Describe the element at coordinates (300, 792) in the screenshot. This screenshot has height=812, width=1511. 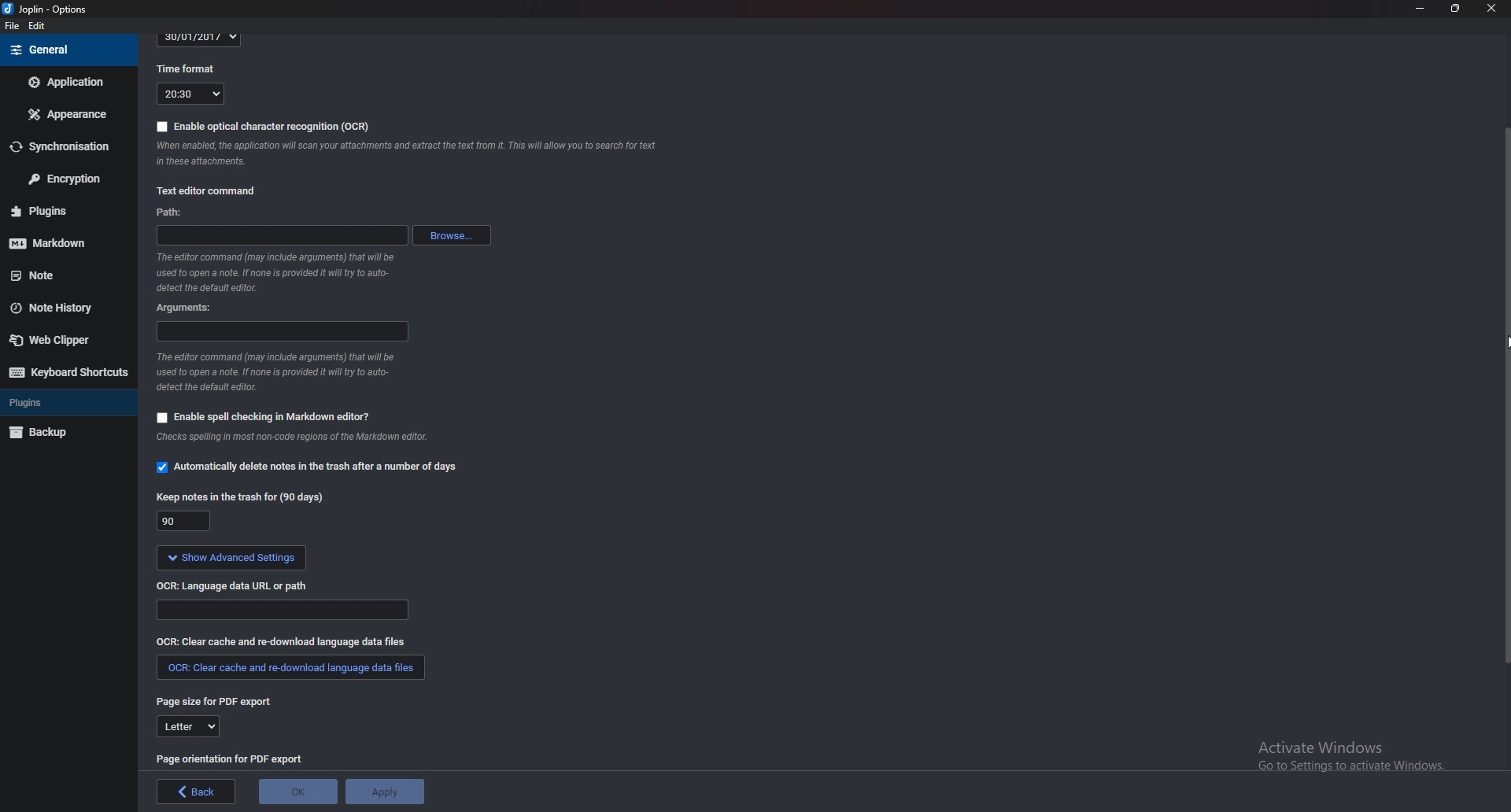
I see `ok` at that location.